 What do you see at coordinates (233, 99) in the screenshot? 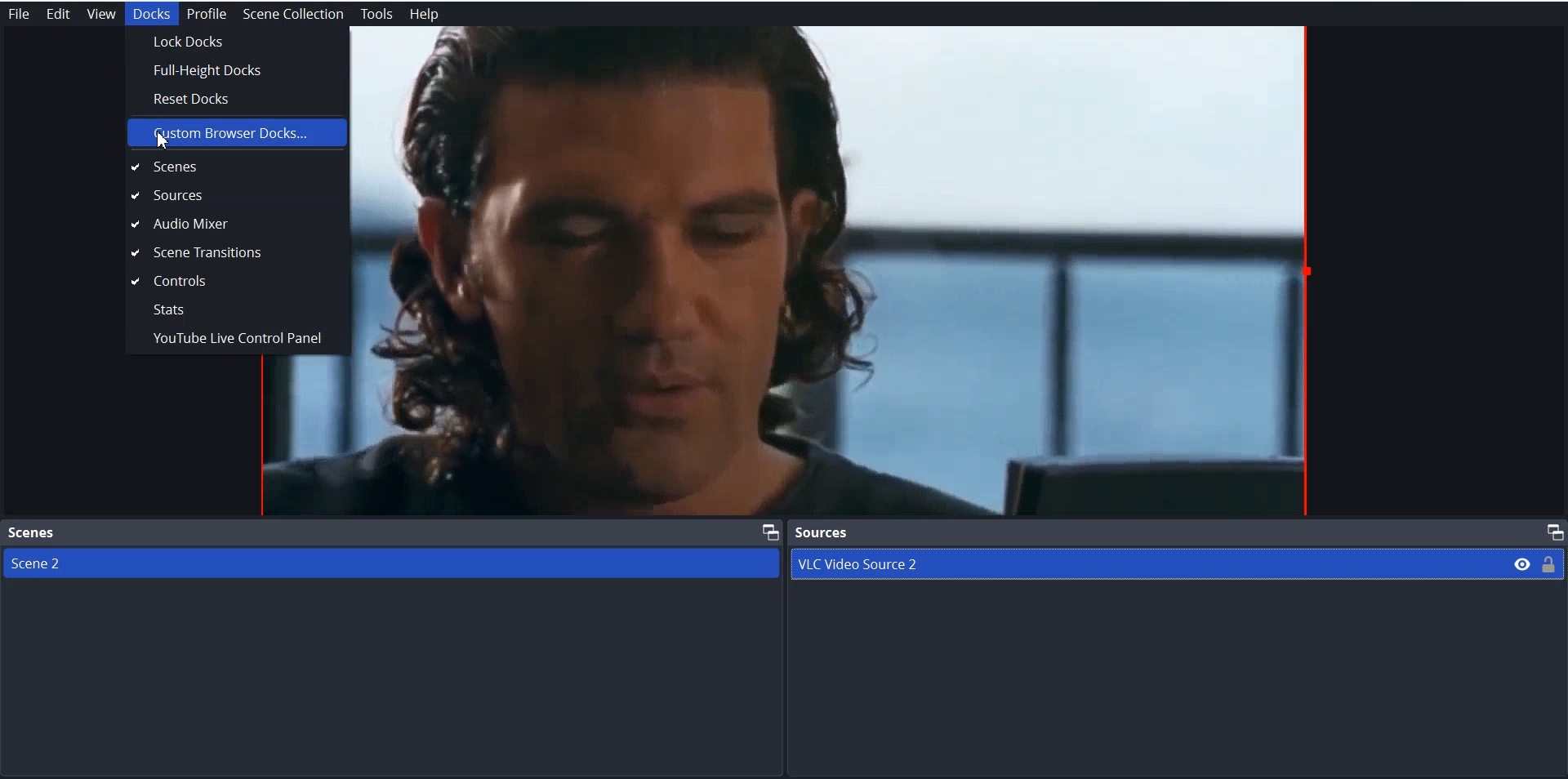
I see `Reset Docks` at bounding box center [233, 99].